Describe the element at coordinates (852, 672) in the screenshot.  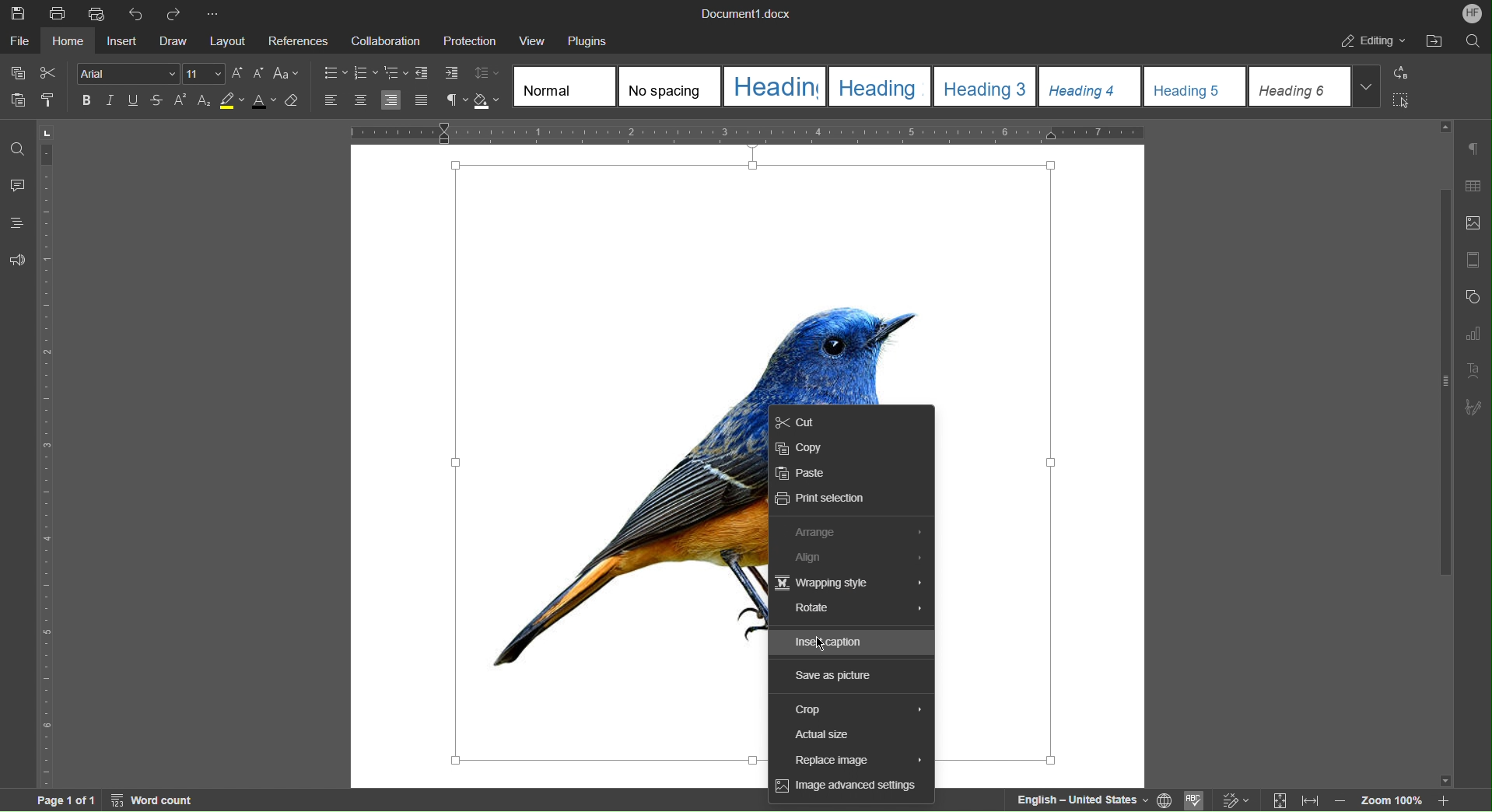
I see `Save as picture` at that location.